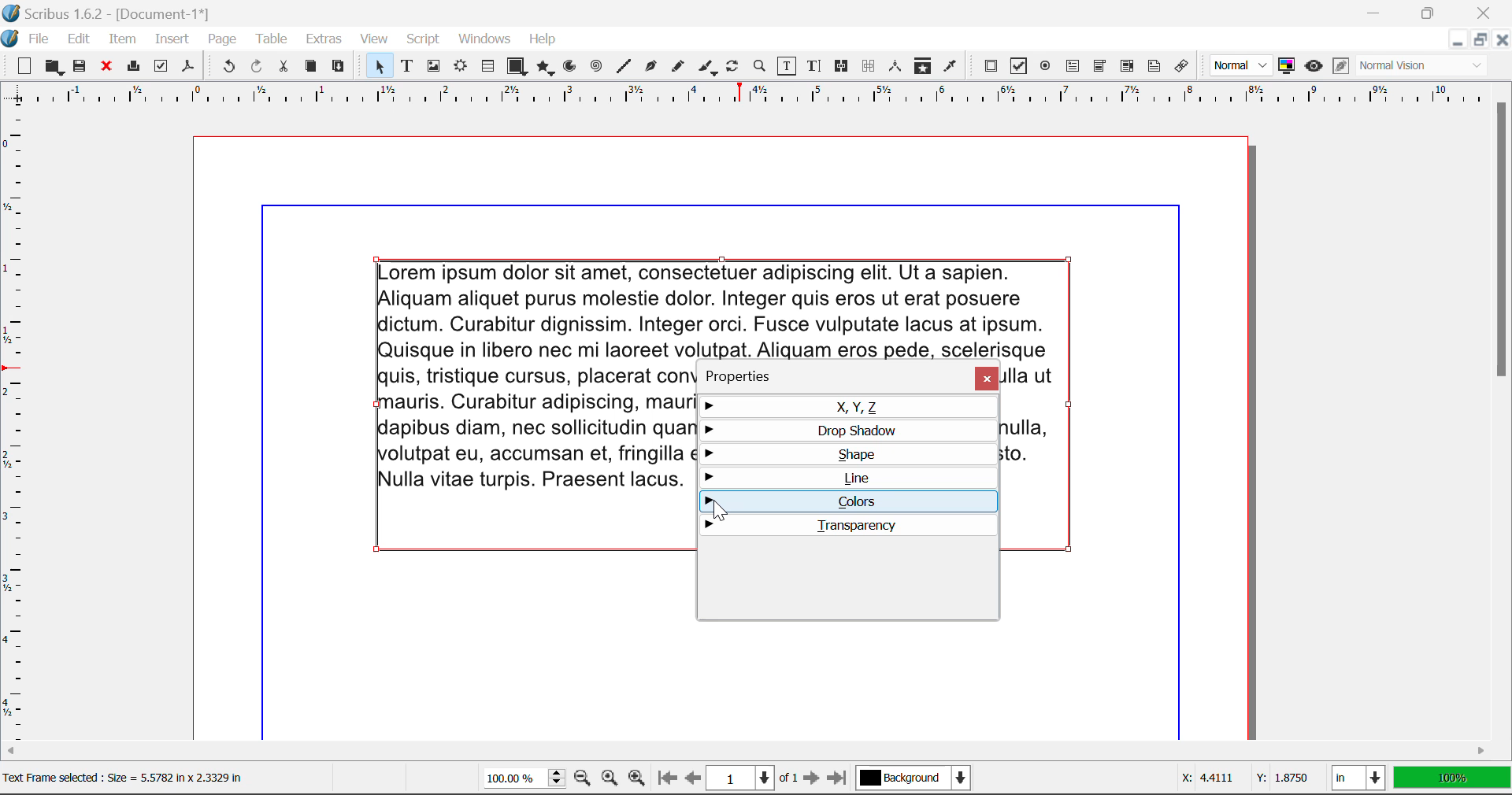  I want to click on text, so click(535, 428).